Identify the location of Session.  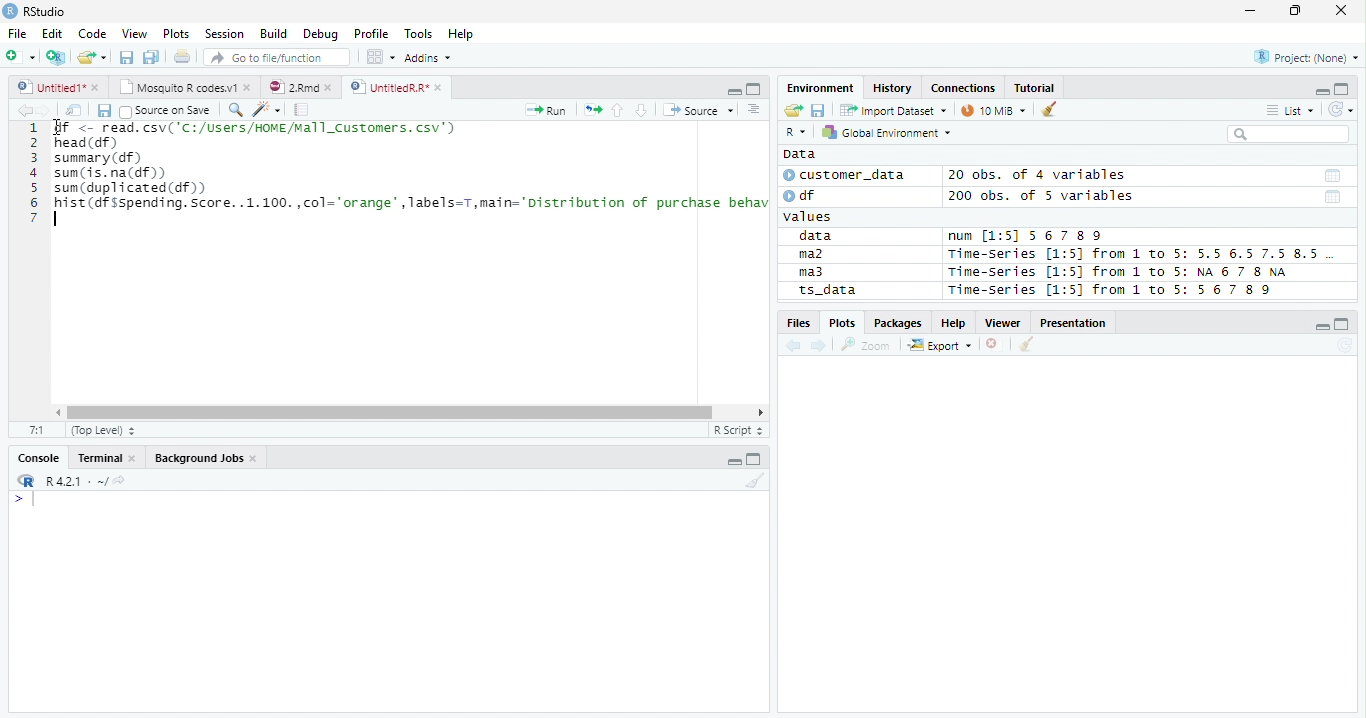
(223, 33).